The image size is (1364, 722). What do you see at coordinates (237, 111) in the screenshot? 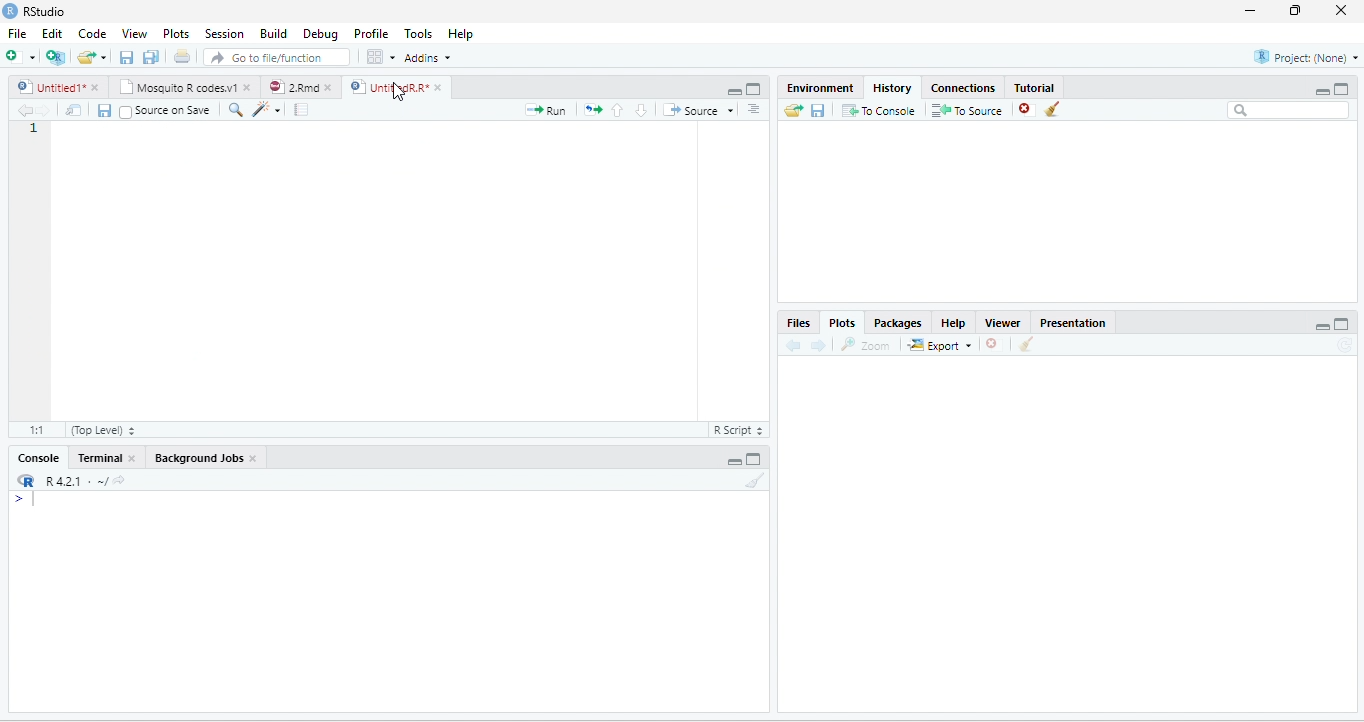
I see `Find/Replace` at bounding box center [237, 111].